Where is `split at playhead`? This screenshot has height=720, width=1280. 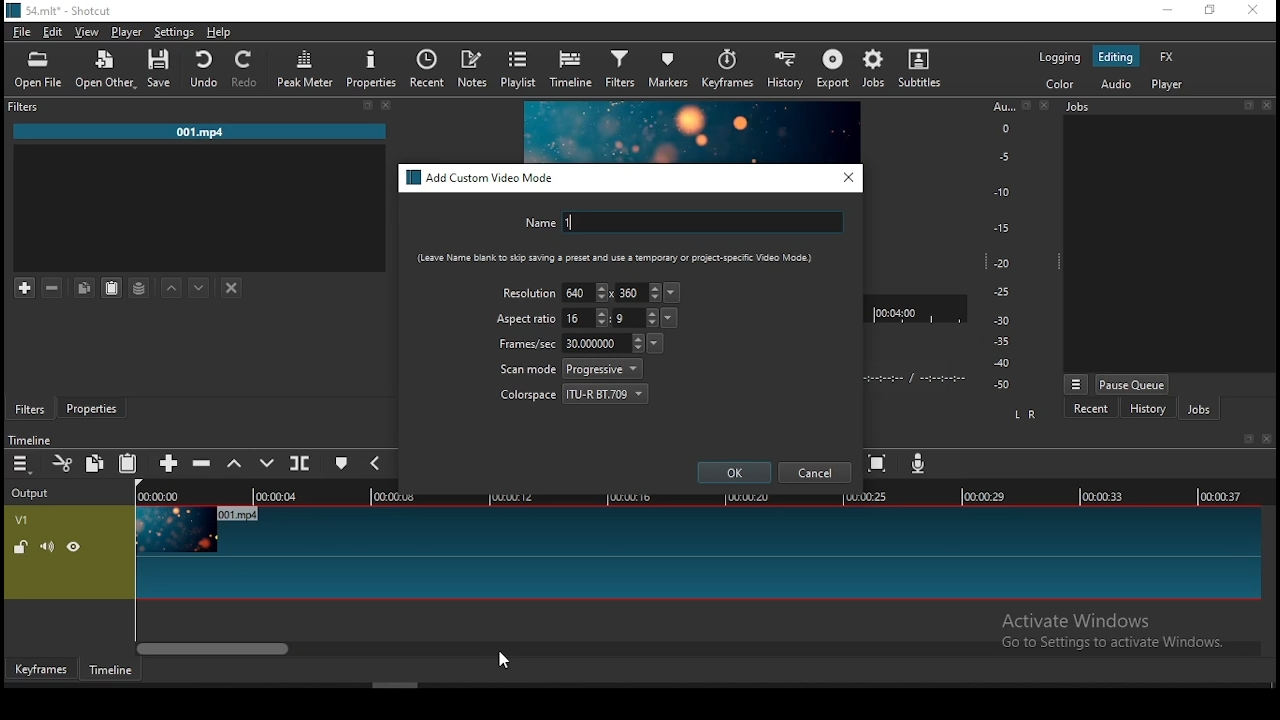
split at playhead is located at coordinates (299, 462).